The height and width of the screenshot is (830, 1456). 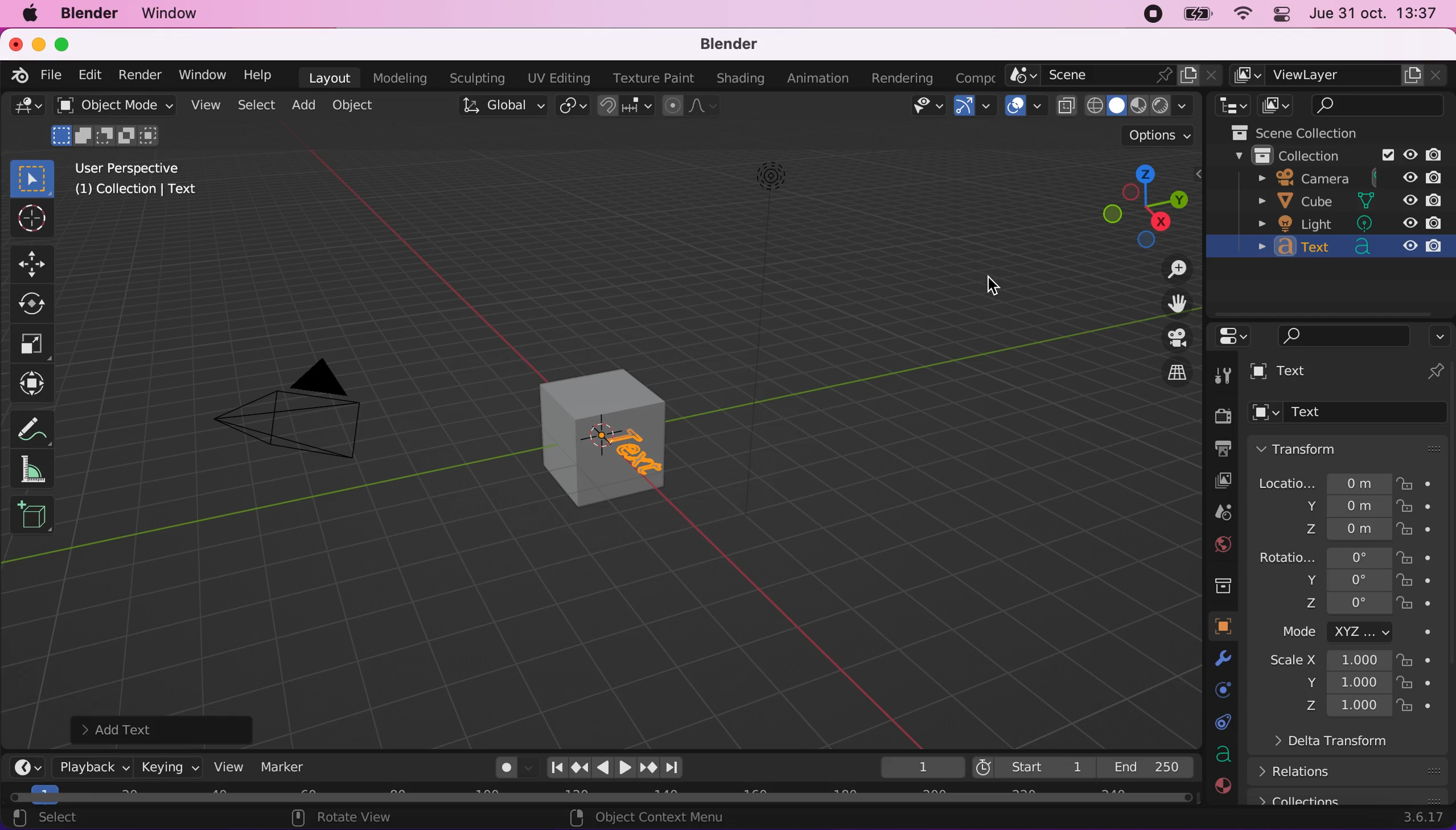 I want to click on cube, so click(x=1346, y=201).